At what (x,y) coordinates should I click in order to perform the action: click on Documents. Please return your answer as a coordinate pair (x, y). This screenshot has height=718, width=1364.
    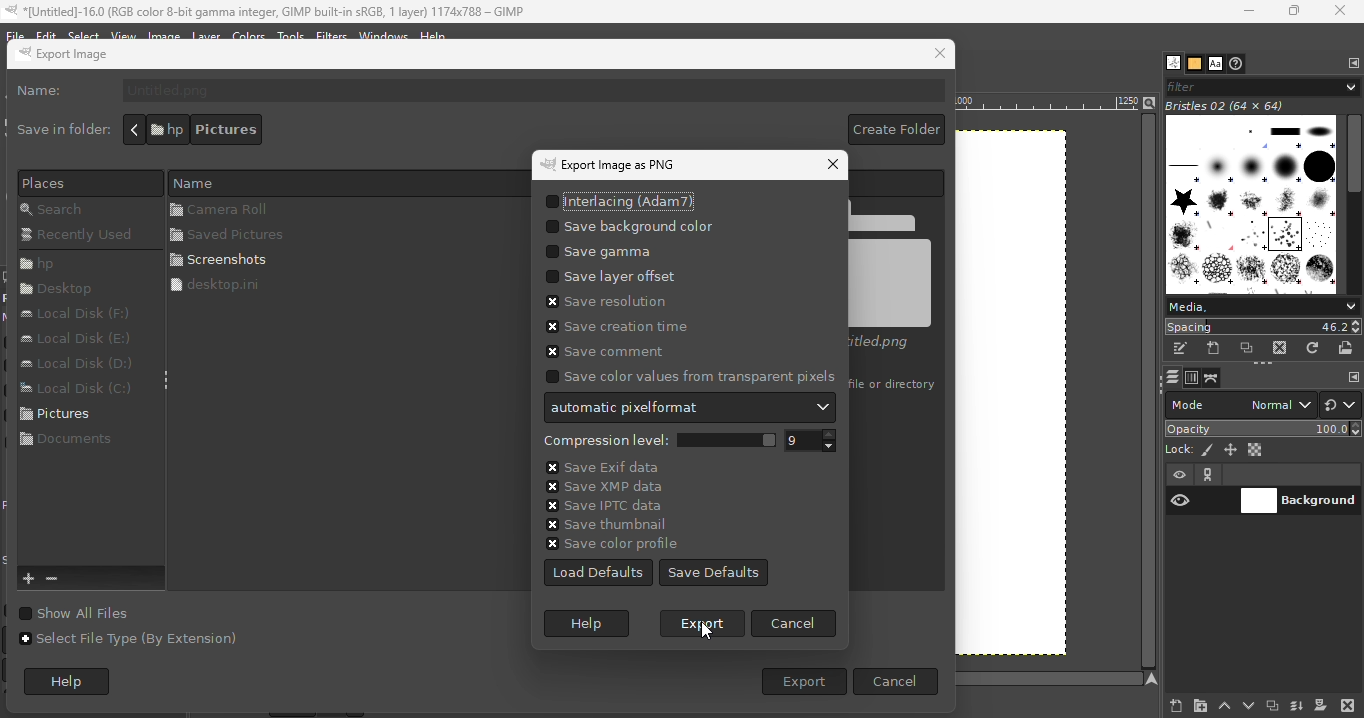
    Looking at the image, I should click on (68, 446).